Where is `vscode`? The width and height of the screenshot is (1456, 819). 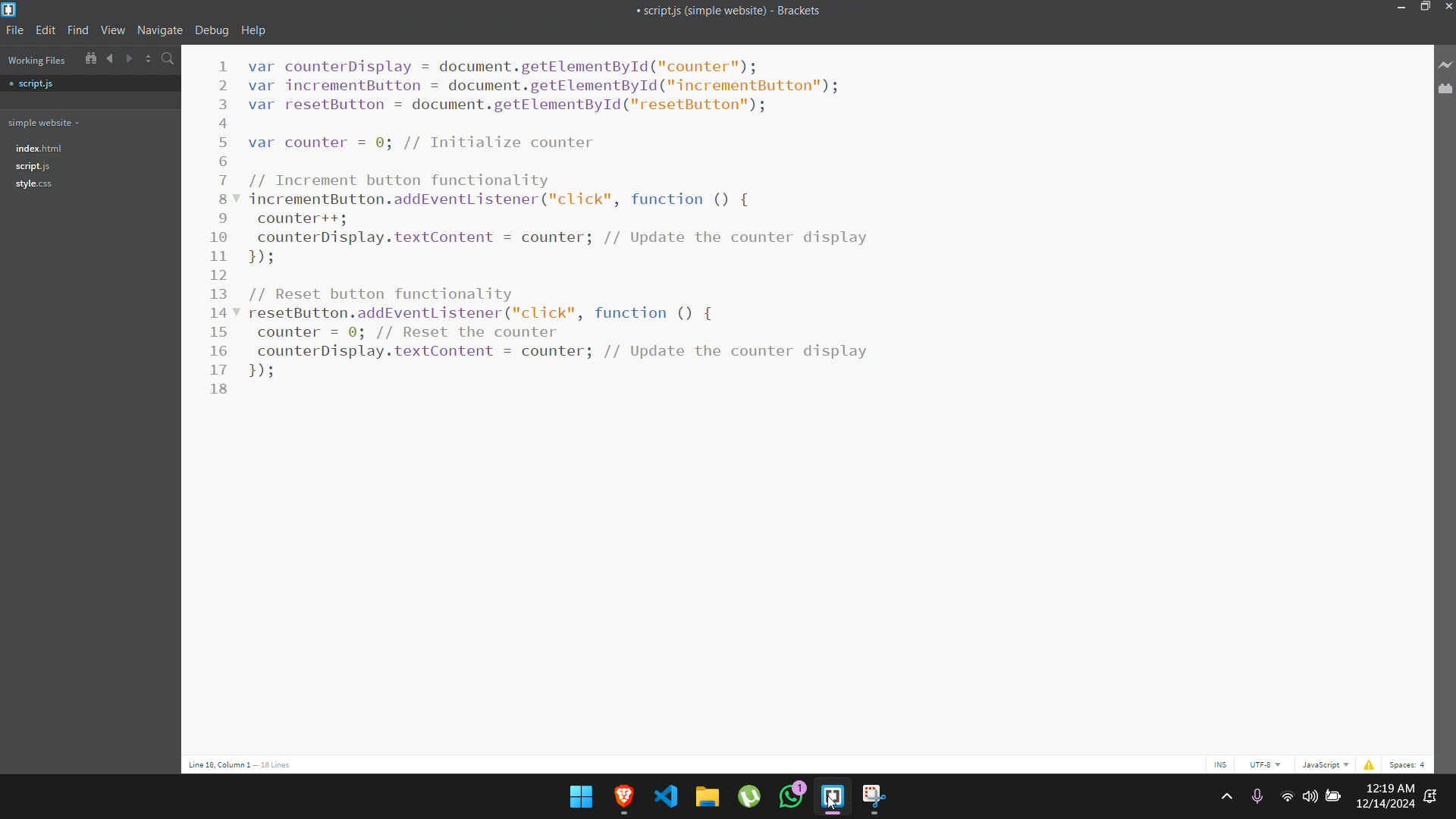
vscode is located at coordinates (667, 795).